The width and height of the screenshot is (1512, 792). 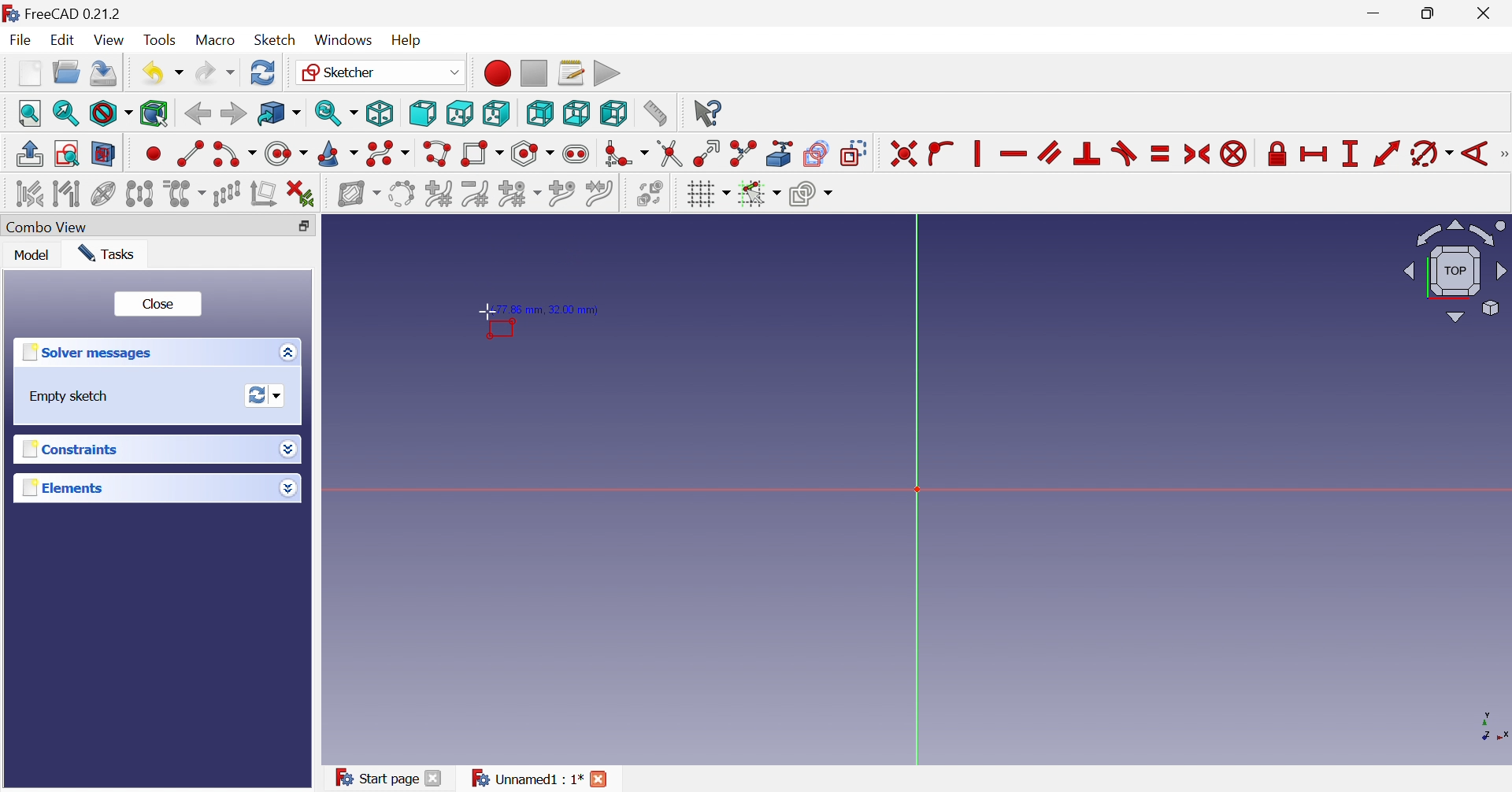 What do you see at coordinates (438, 193) in the screenshot?
I see `Increase B-spline degree` at bounding box center [438, 193].